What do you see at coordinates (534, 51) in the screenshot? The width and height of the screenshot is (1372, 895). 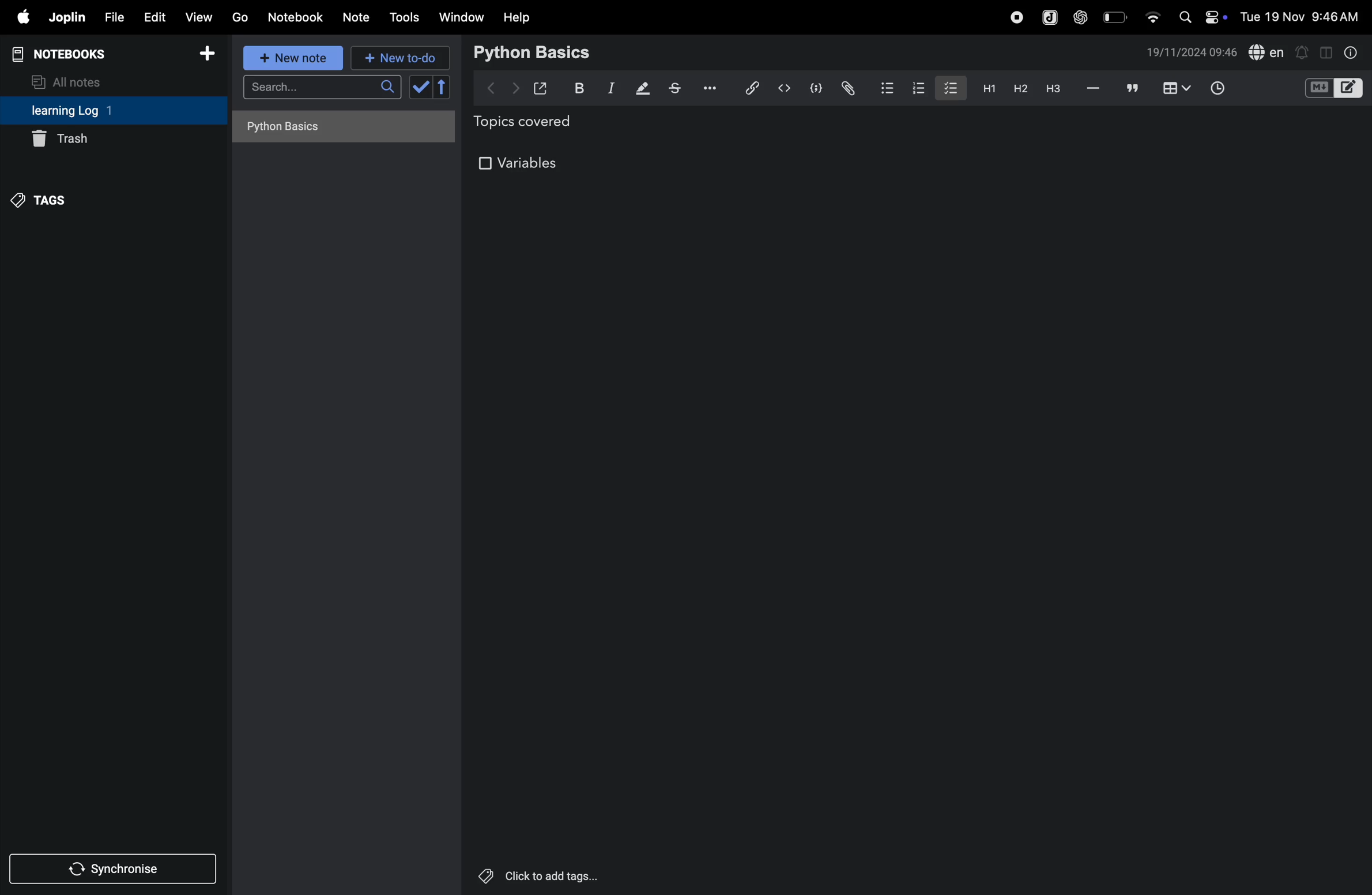 I see `python basic` at bounding box center [534, 51].